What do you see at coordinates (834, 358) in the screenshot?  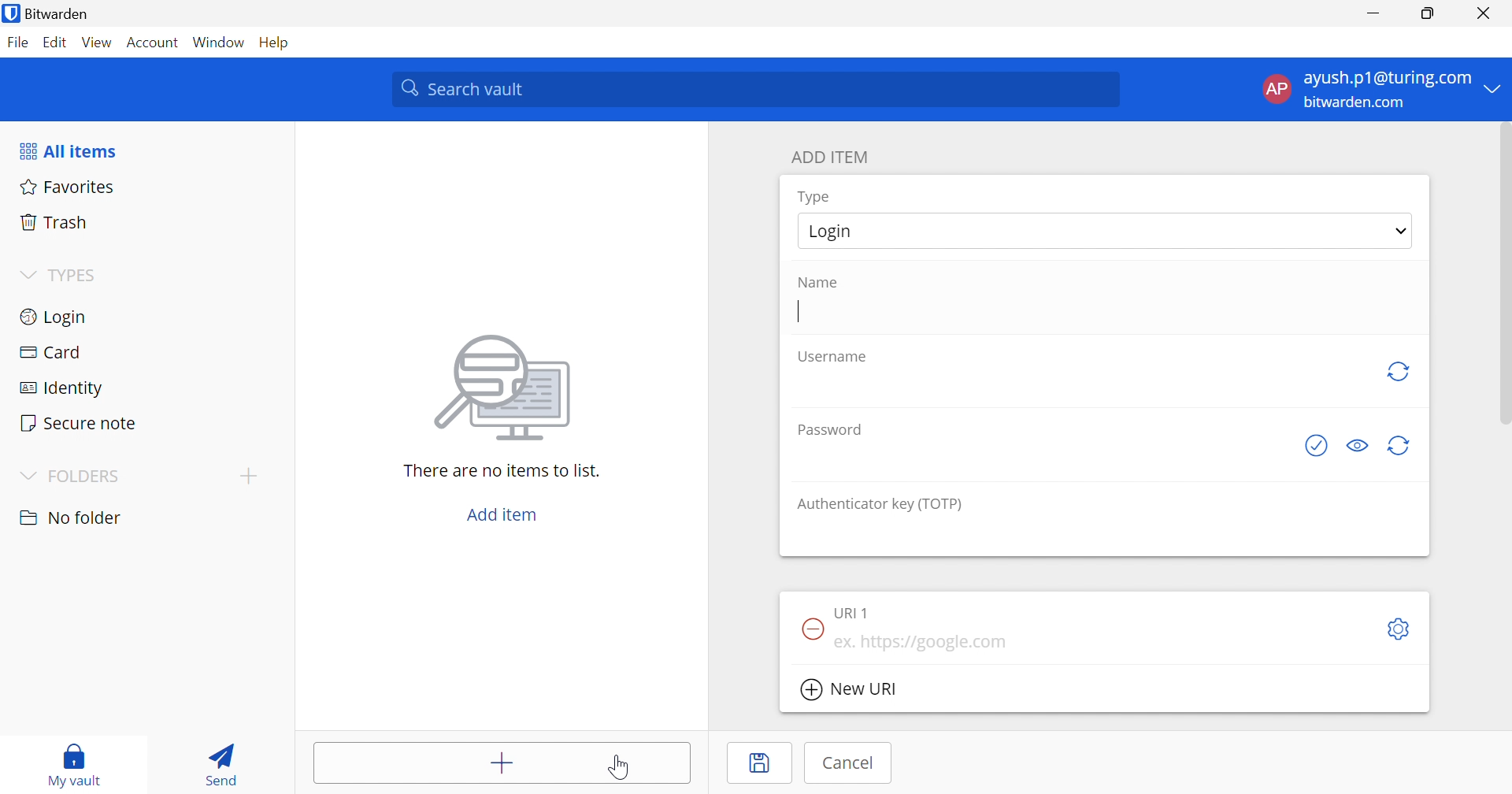 I see `Username` at bounding box center [834, 358].